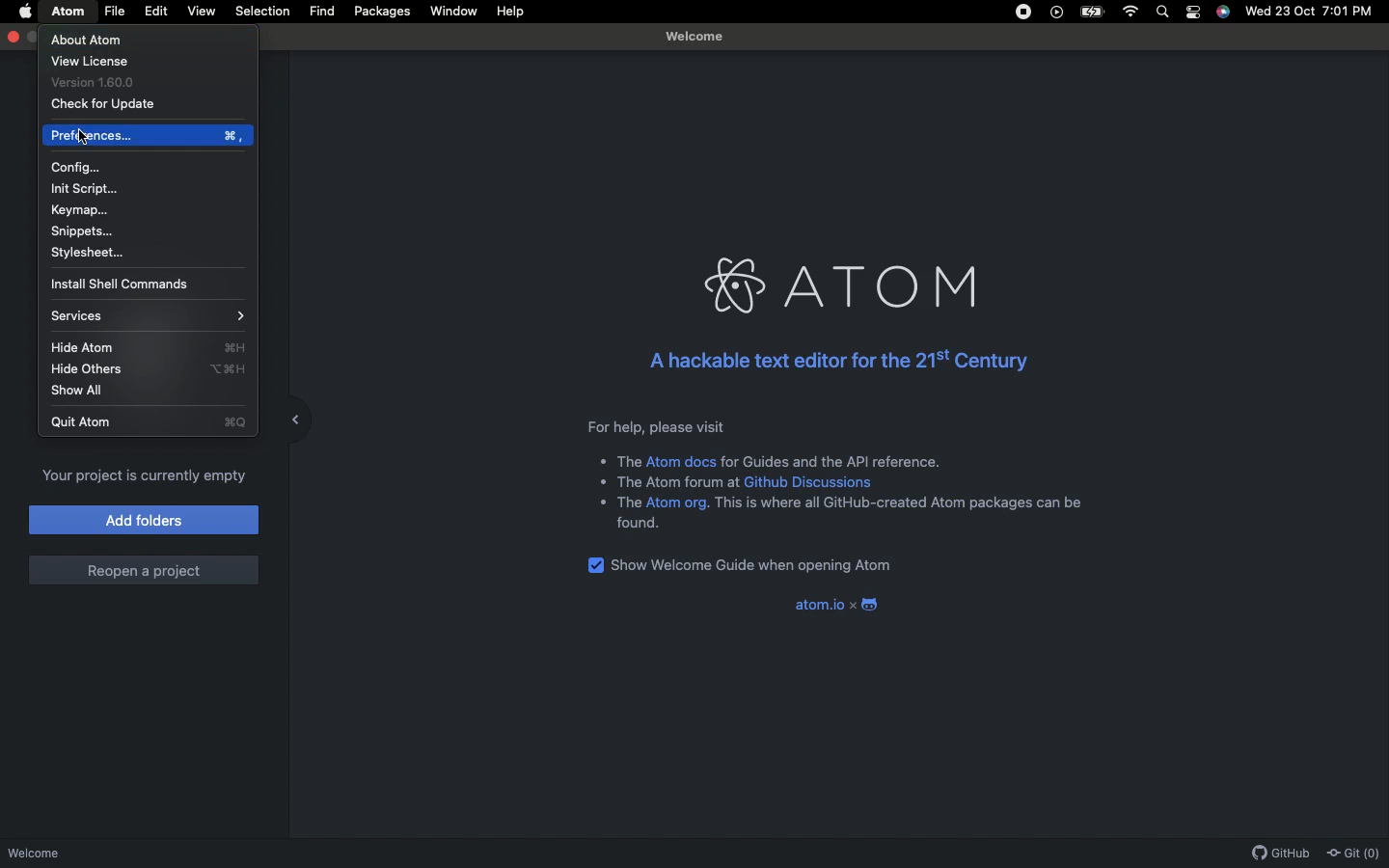  What do you see at coordinates (656, 426) in the screenshot?
I see `For help, please visit` at bounding box center [656, 426].